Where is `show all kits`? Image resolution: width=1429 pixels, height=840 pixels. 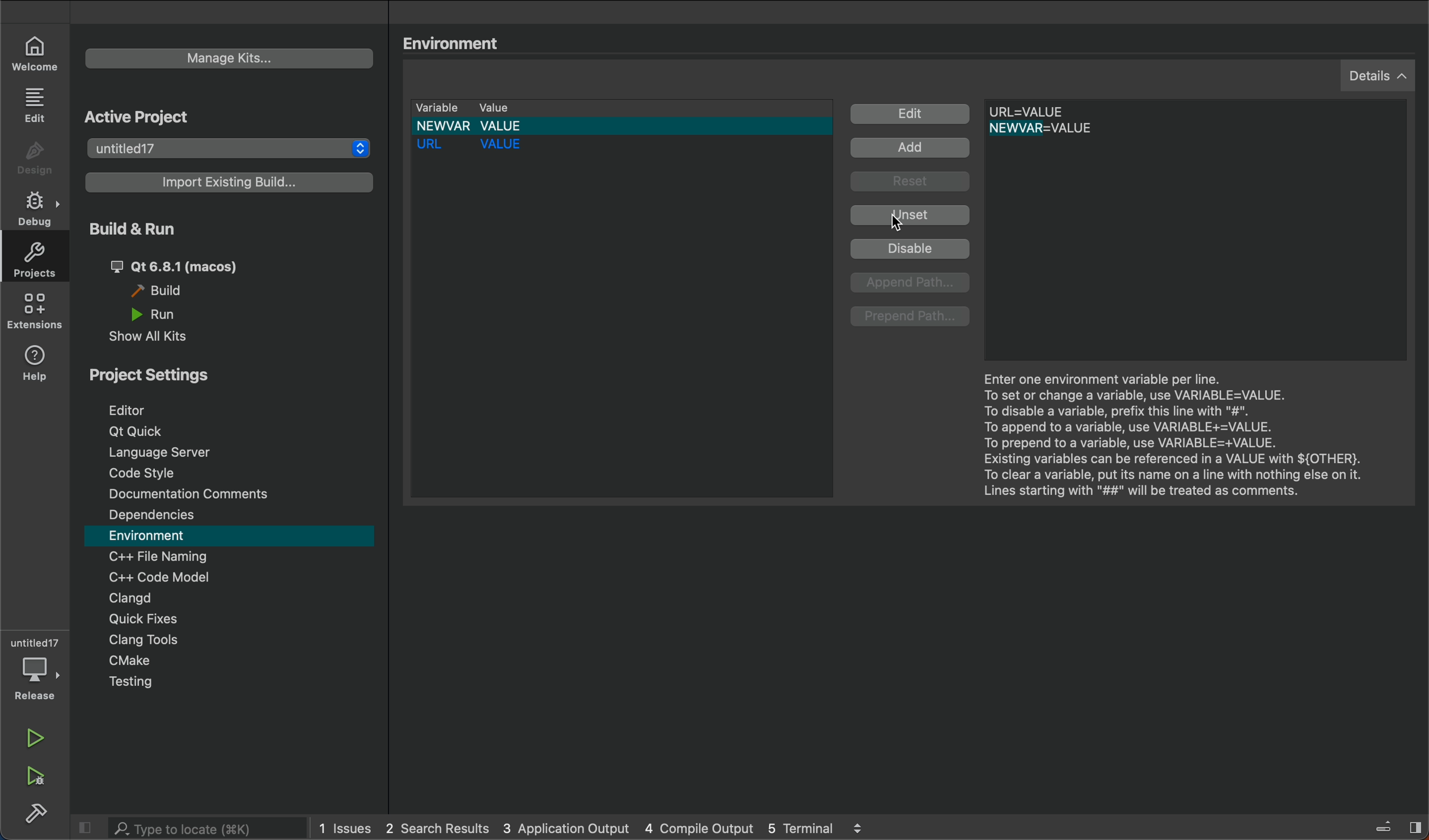 show all kits is located at coordinates (151, 336).